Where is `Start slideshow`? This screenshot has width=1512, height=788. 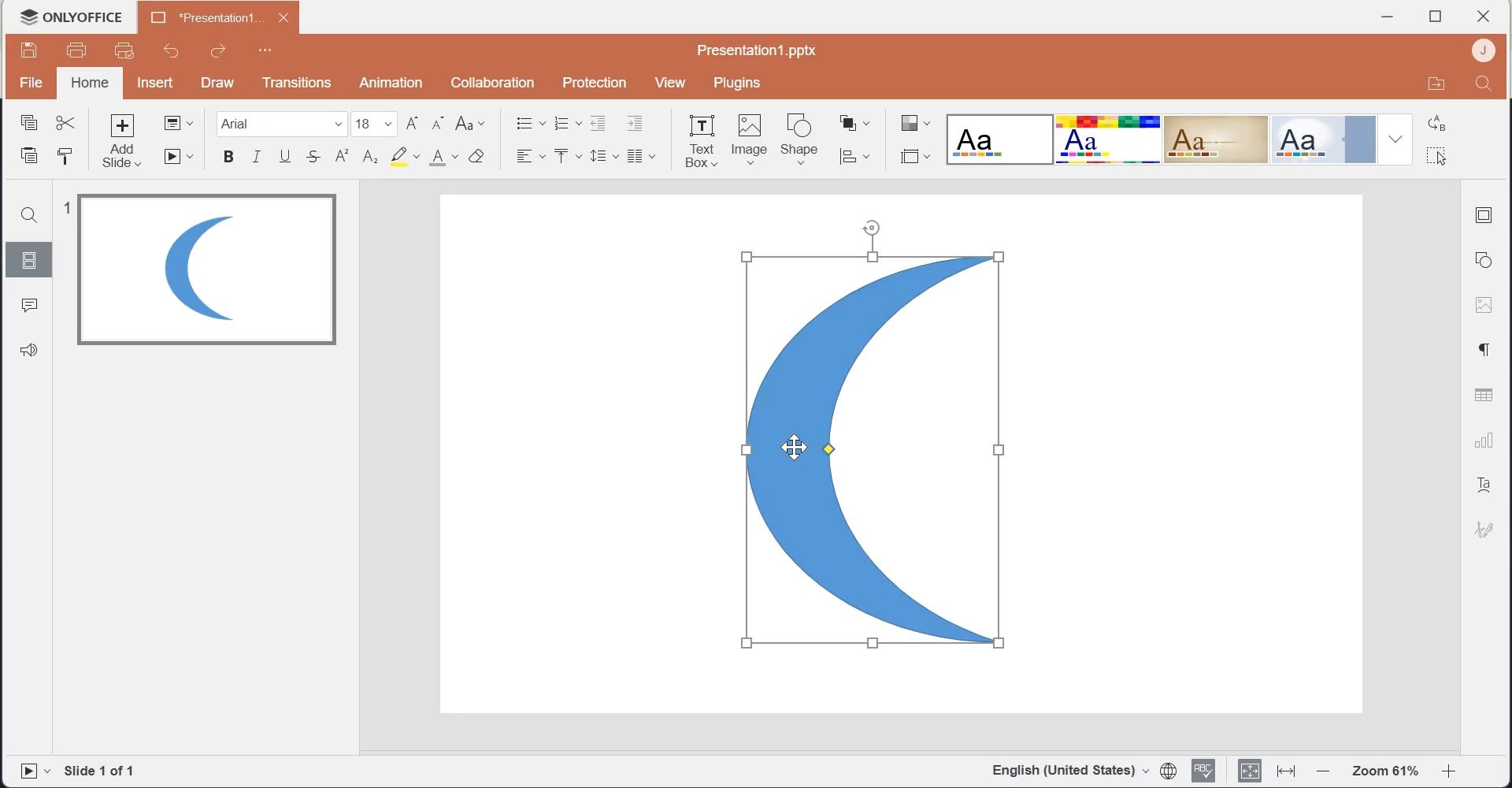
Start slideshow is located at coordinates (180, 157).